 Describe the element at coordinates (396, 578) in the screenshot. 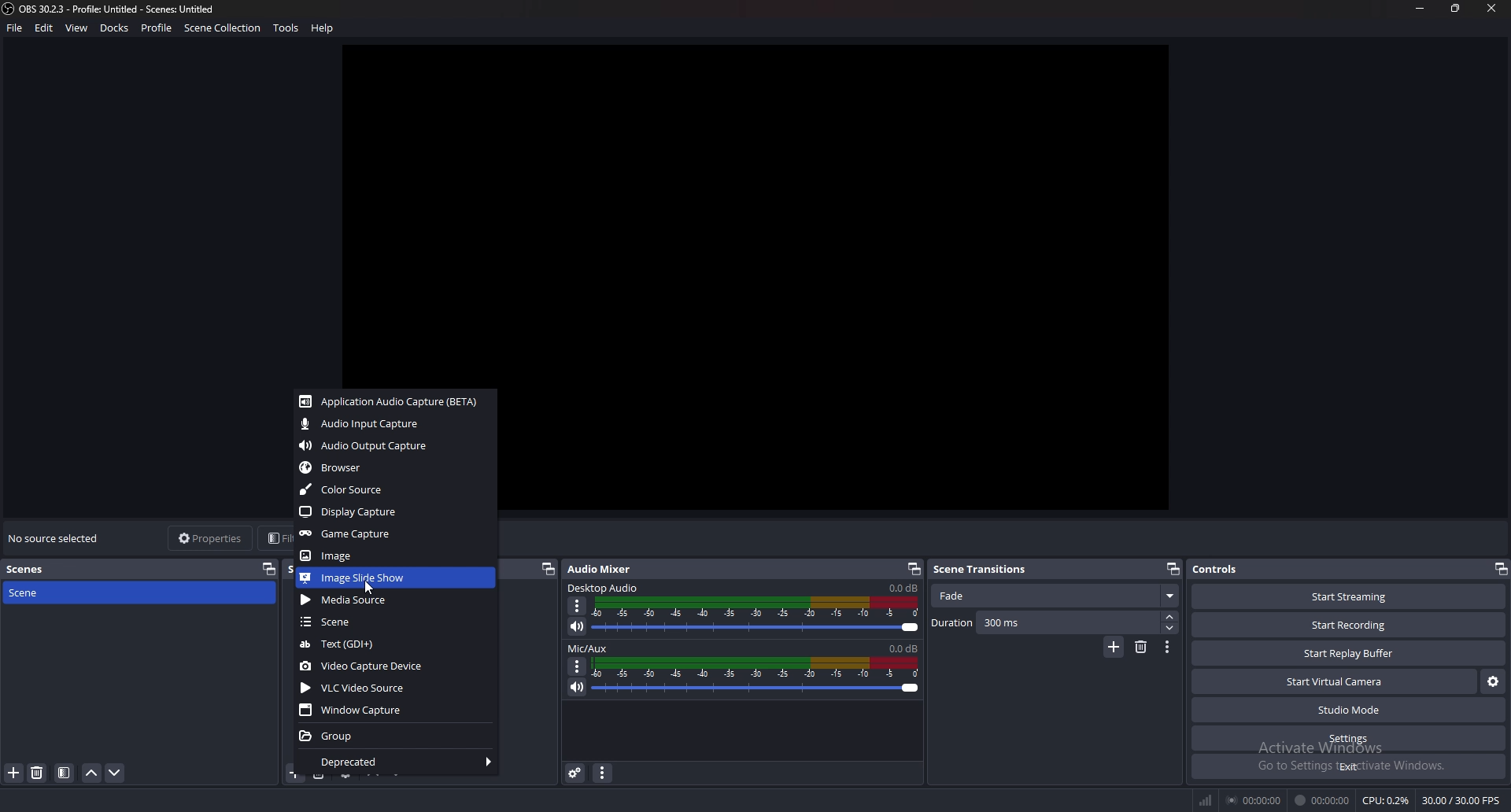

I see `image slideshow` at that location.